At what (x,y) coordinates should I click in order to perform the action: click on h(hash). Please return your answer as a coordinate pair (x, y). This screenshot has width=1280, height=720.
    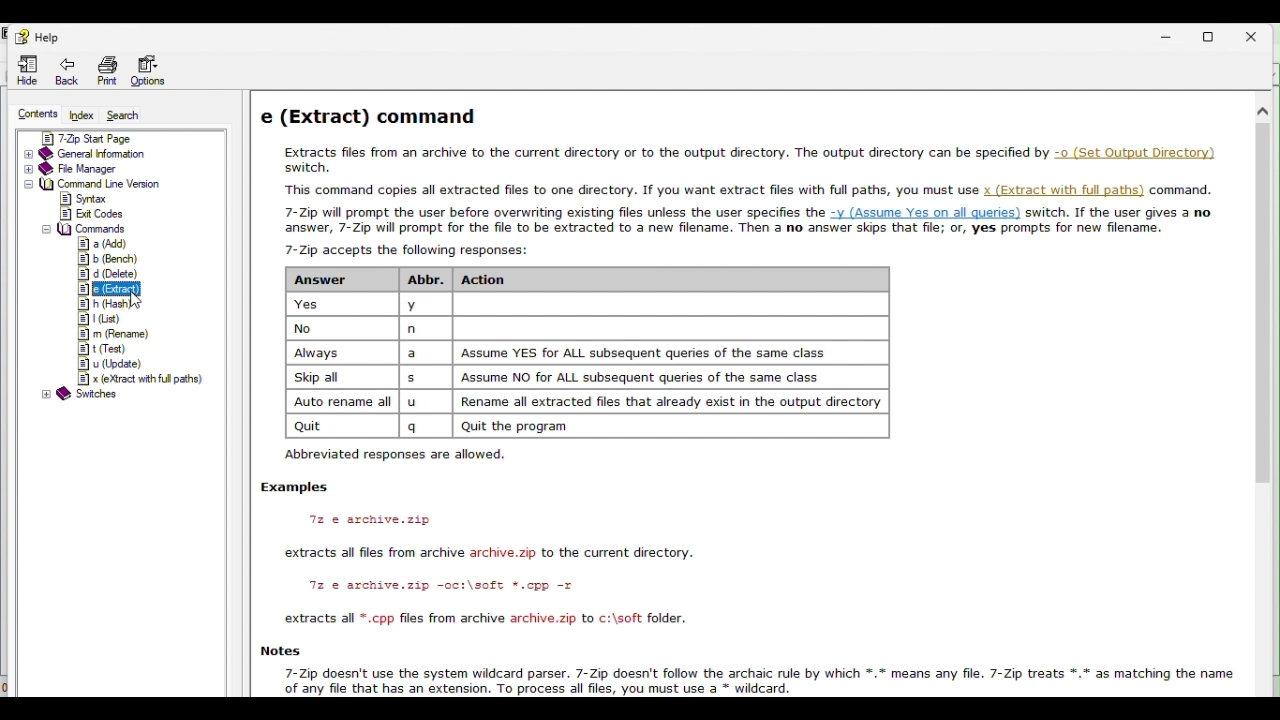
    Looking at the image, I should click on (98, 304).